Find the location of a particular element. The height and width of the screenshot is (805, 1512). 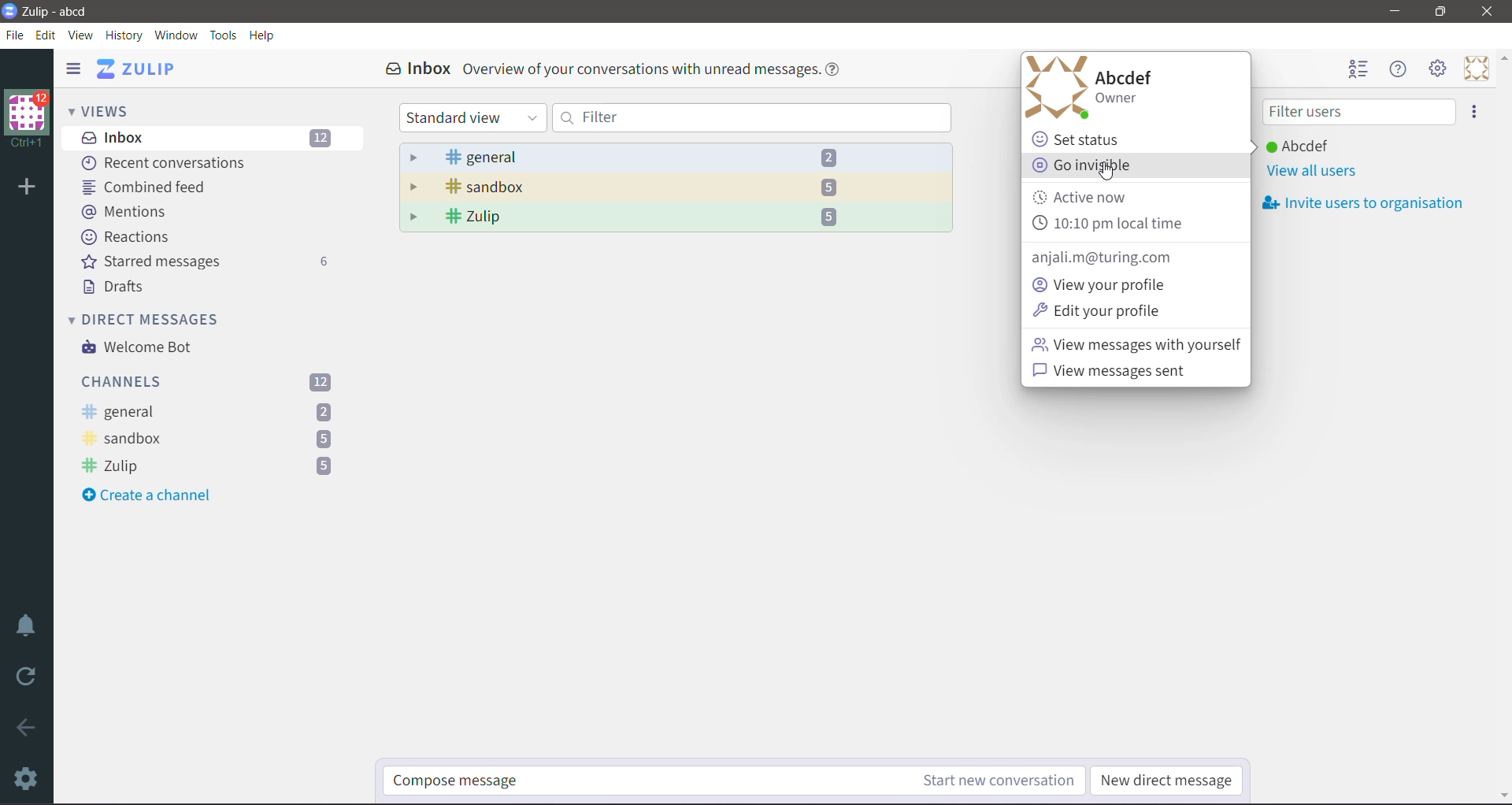

Hide user list is located at coordinates (1360, 69).